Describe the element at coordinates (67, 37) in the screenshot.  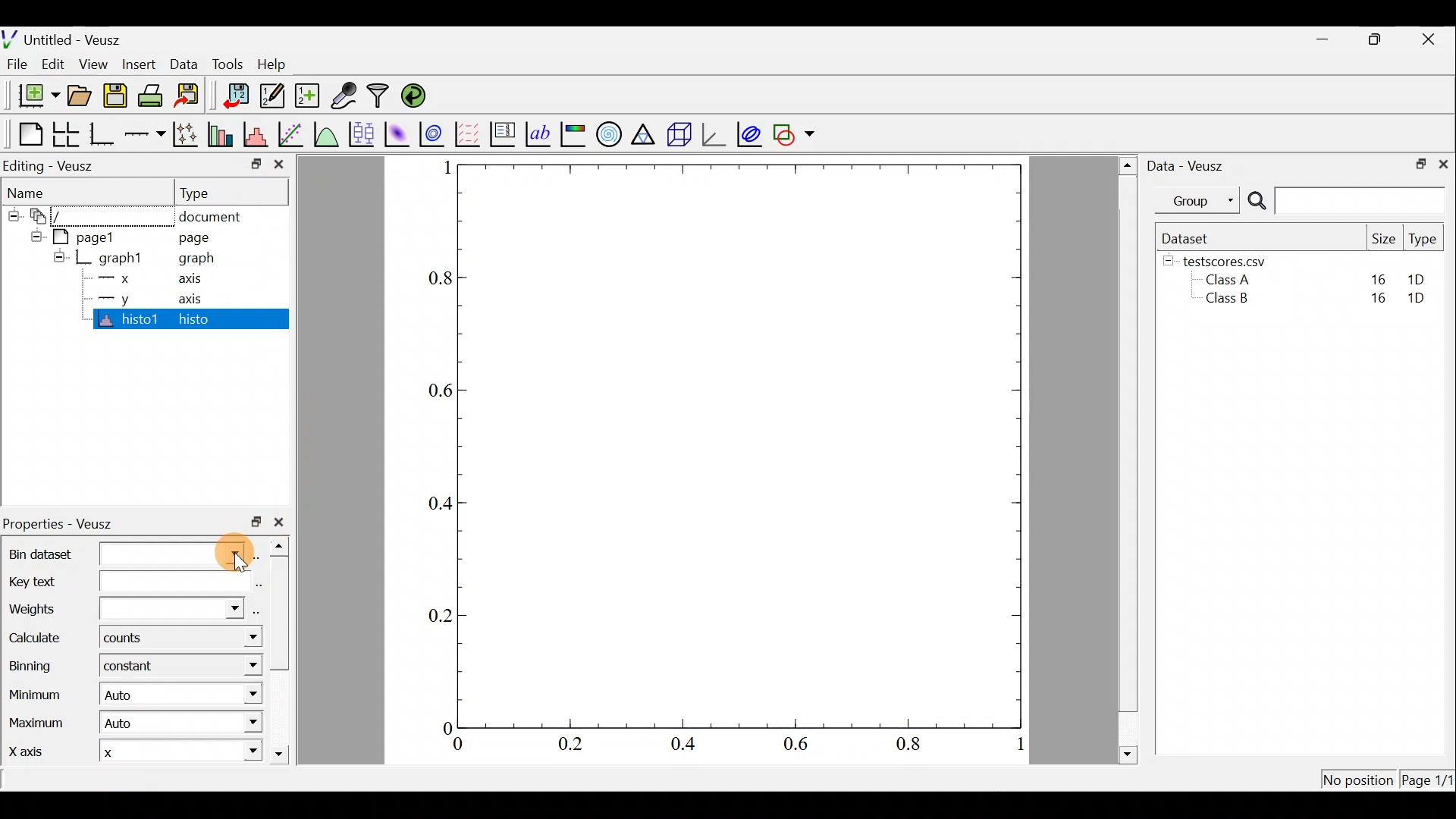
I see `Untitled - Veusz` at that location.